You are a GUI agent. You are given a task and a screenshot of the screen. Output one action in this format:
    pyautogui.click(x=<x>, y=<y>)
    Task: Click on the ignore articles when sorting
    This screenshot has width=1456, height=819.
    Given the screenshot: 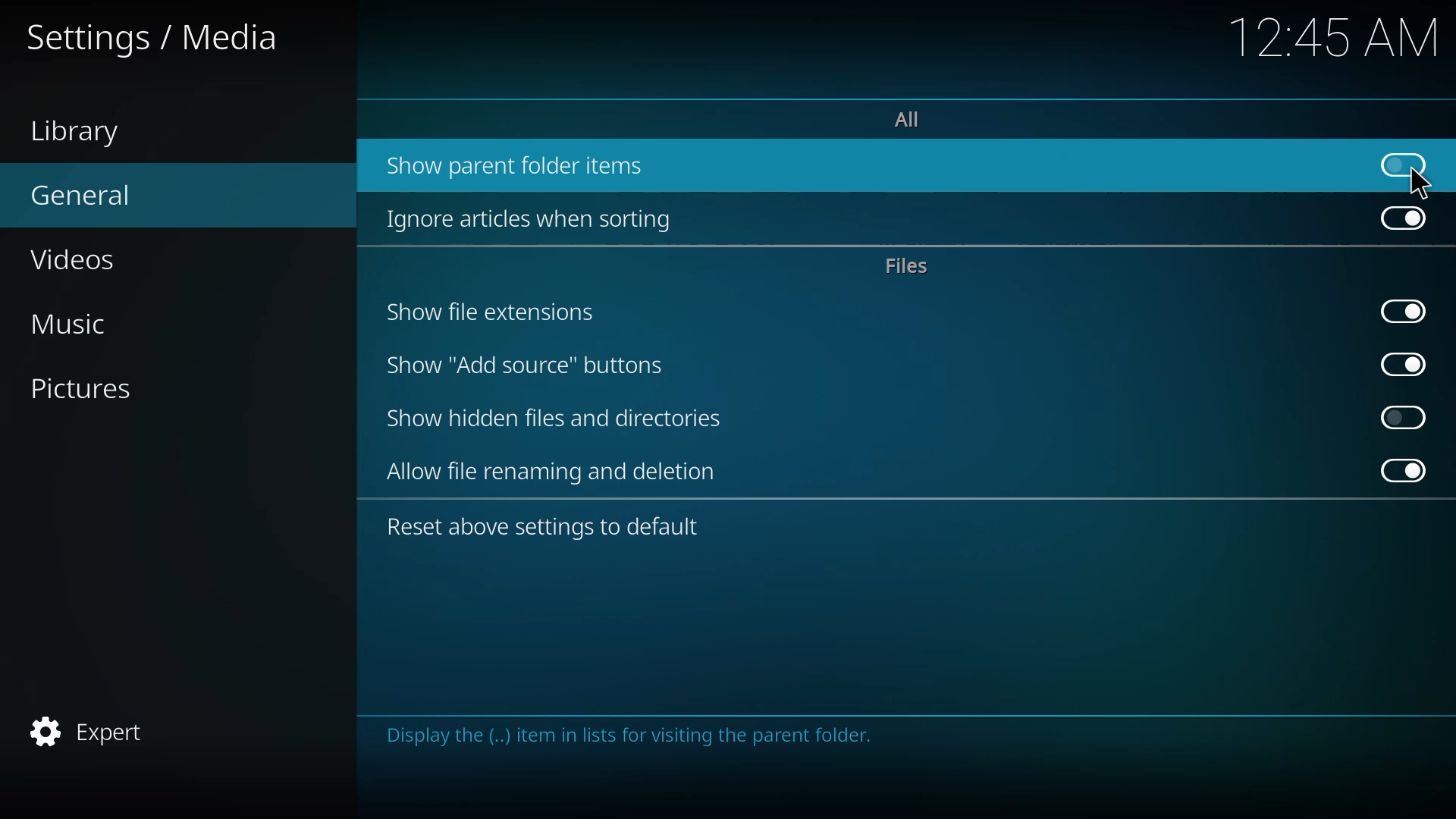 What is the action you would take?
    pyautogui.click(x=538, y=218)
    